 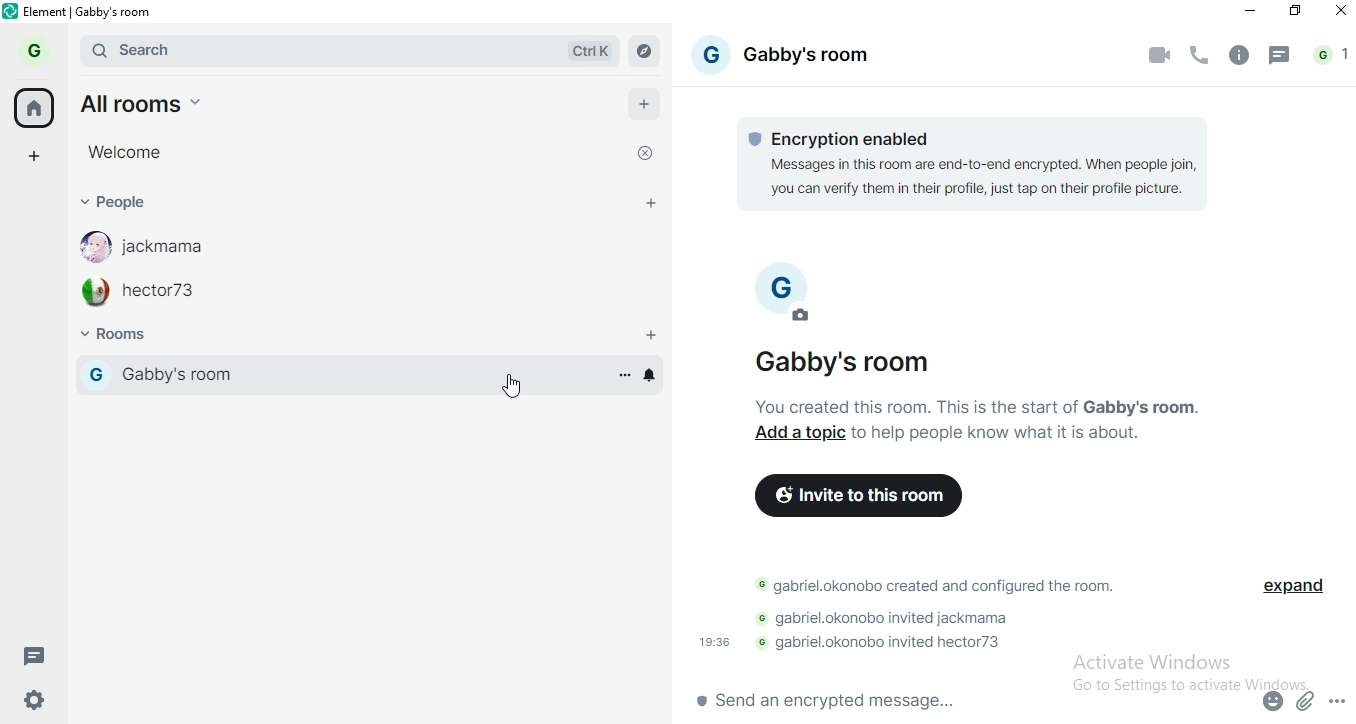 I want to click on restore, so click(x=1296, y=12).